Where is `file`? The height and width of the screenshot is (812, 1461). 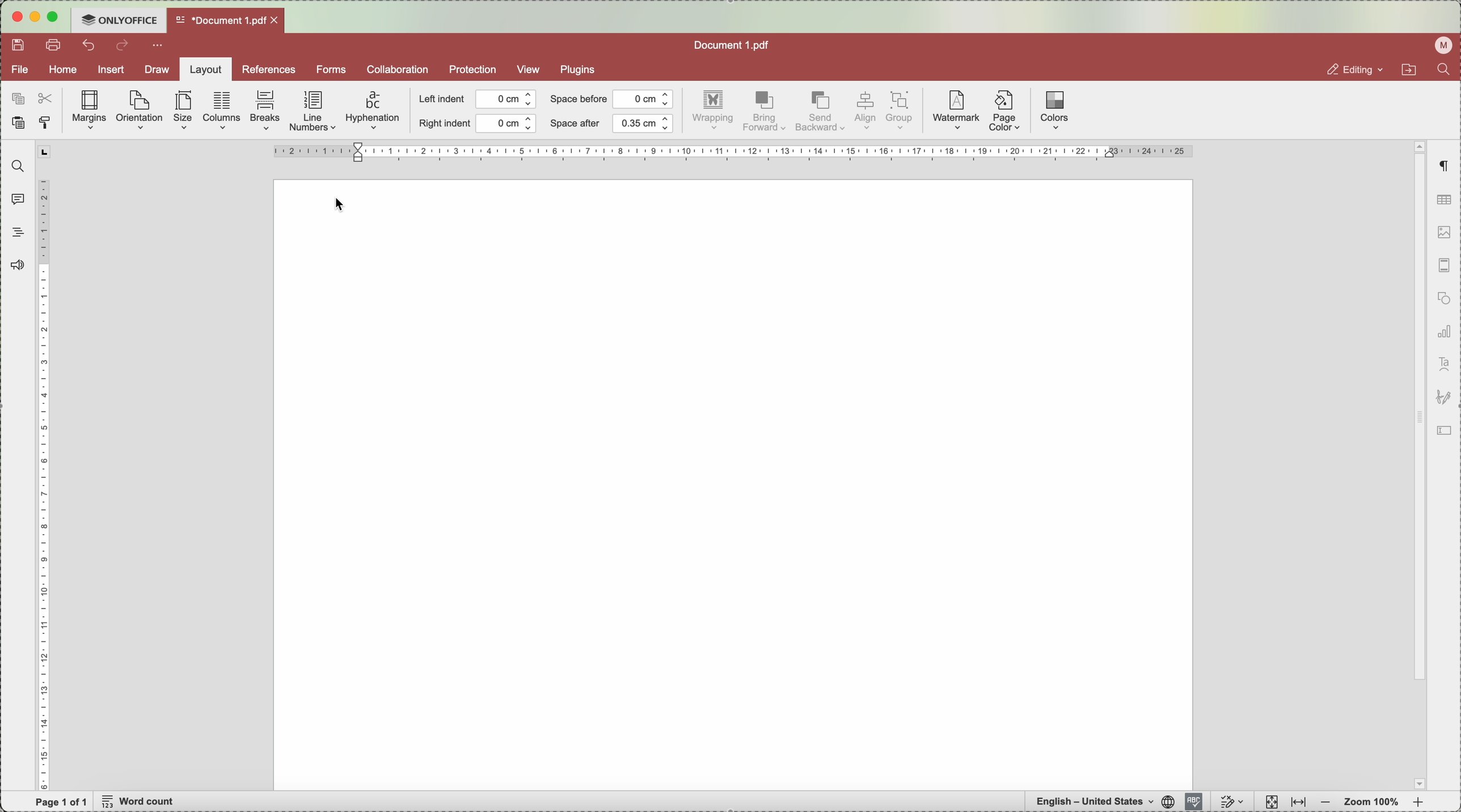
file is located at coordinates (20, 70).